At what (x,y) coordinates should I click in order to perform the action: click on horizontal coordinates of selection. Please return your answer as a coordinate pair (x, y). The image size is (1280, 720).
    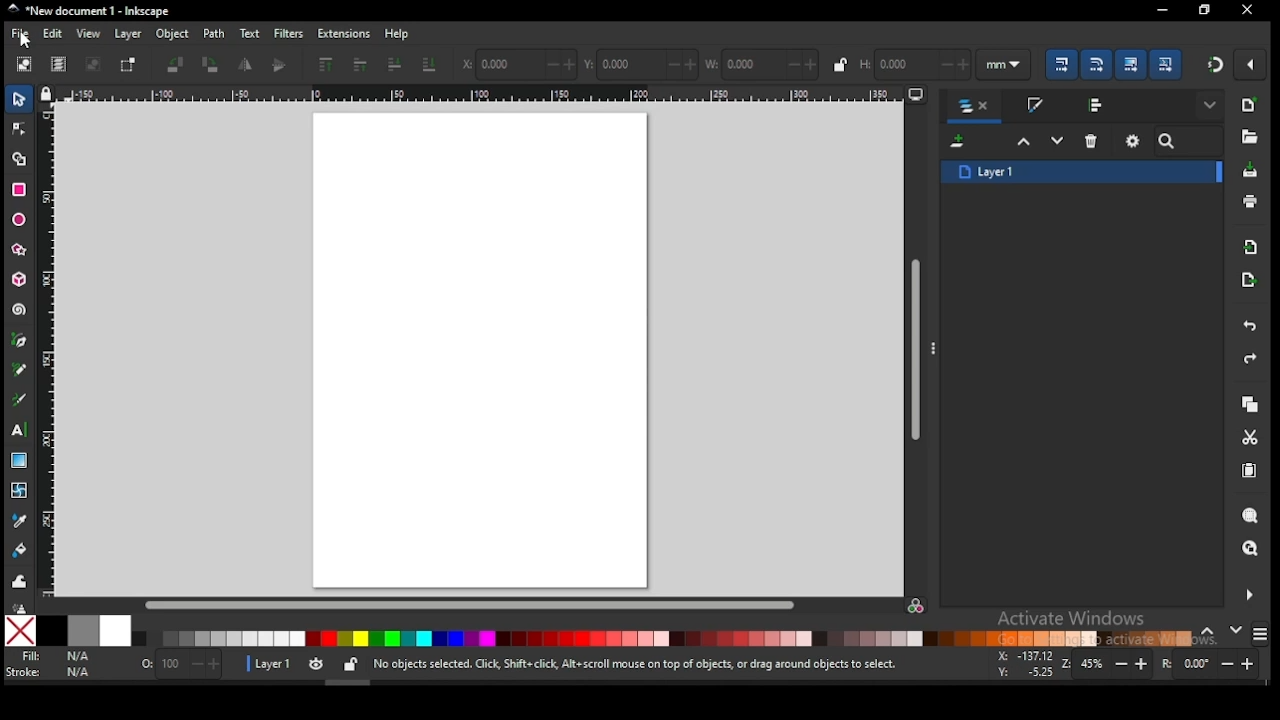
    Looking at the image, I should click on (518, 63).